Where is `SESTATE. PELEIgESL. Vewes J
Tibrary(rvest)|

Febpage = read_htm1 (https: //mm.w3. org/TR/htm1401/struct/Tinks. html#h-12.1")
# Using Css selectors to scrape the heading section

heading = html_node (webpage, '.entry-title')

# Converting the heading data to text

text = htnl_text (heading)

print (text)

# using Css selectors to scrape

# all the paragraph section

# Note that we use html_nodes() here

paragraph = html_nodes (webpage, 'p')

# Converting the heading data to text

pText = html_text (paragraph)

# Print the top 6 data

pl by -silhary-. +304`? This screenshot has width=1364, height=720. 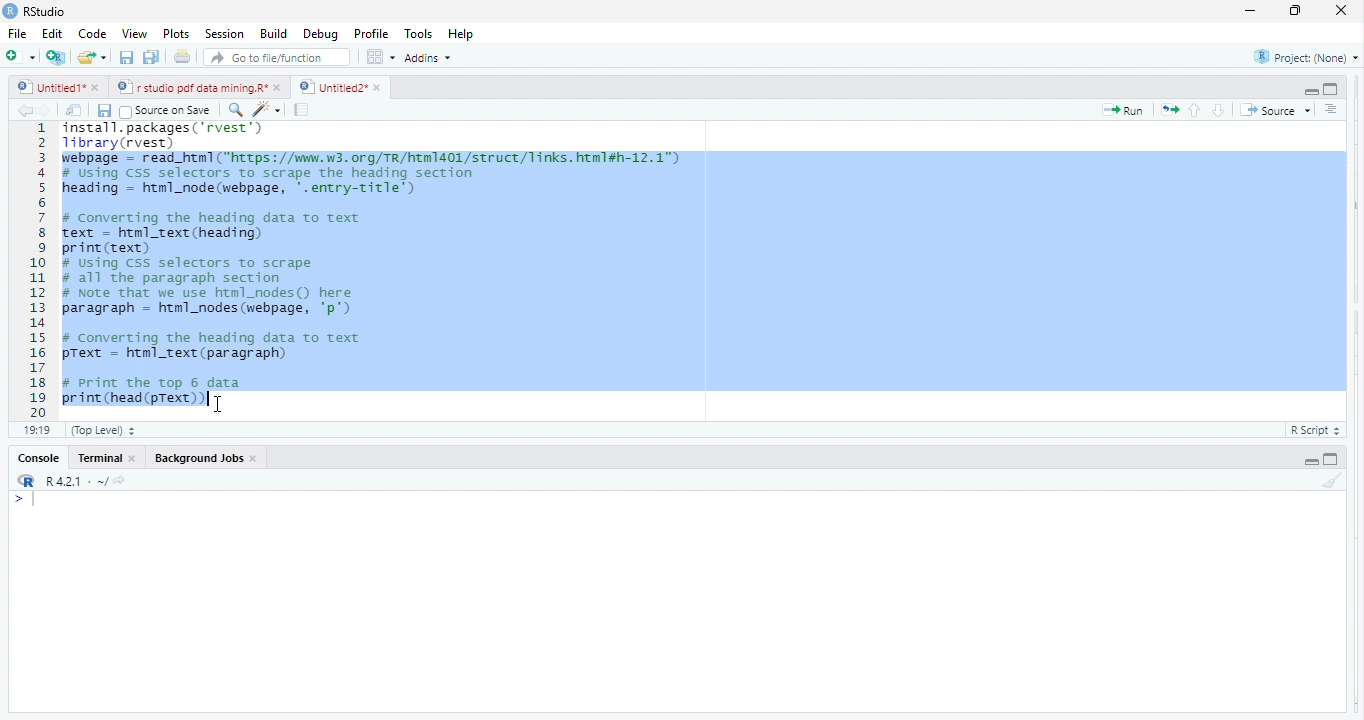
SESTATE. PELEIgESL. Vewes J
Tibrary(rvest)|

Febpage = read_htm1 (https: //mm.w3. org/TR/htm1401/struct/Tinks. html#h-12.1")
# Using Css selectors to scrape the heading section

heading = html_node (webpage, '.entry-title')

# Converting the heading data to text

text = htnl_text (heading)

print (text)

# using Css selectors to scrape

# all the paragraph section

# Note that we use html_nodes() here

paragraph = html_nodes (webpage, 'p')

# Converting the heading data to text

pText = html_text (paragraph)

# Print the top 6 data

pl by -silhary-. +304 is located at coordinates (705, 268).